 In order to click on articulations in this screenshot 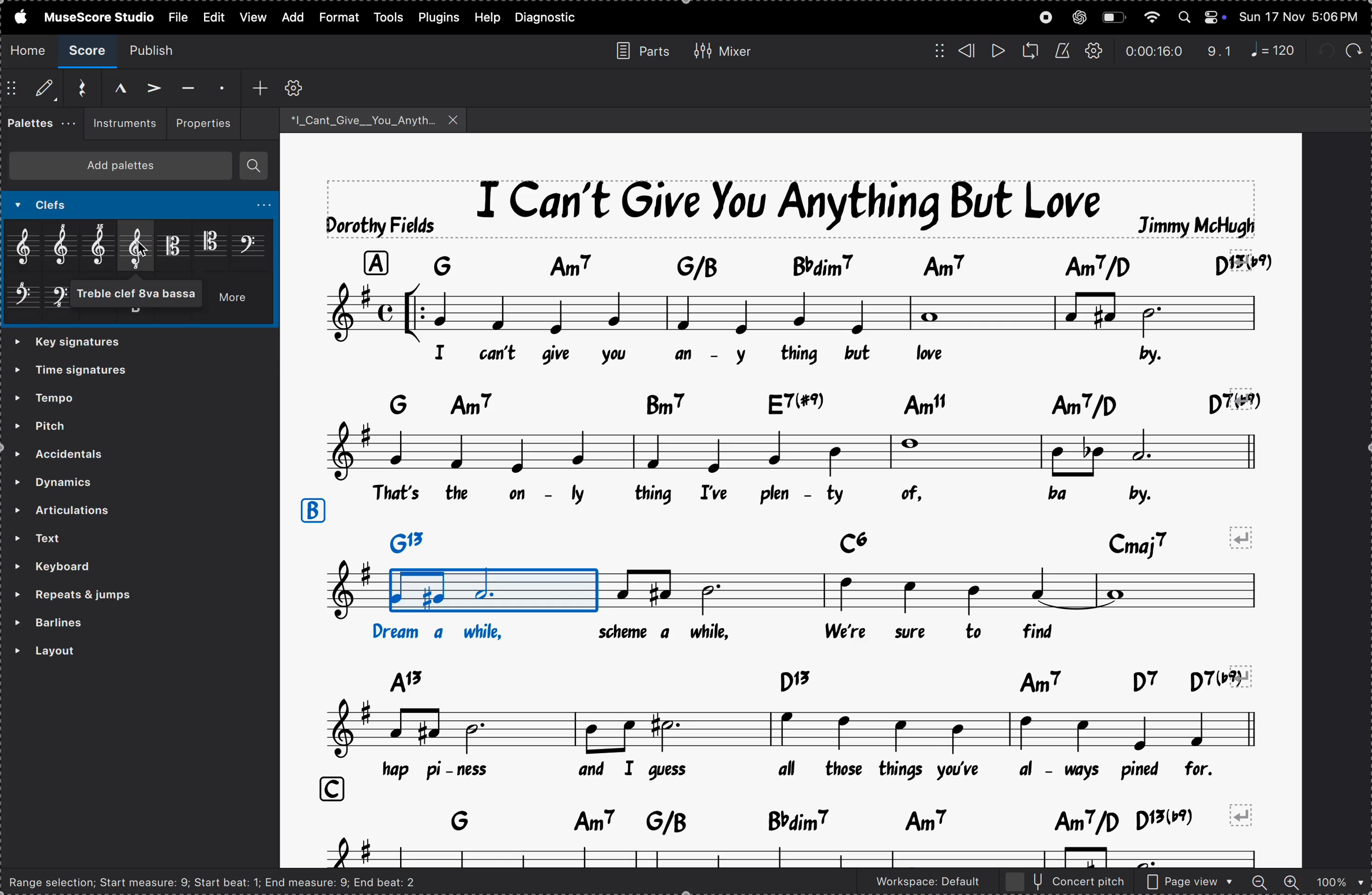, I will do `click(121, 512)`.